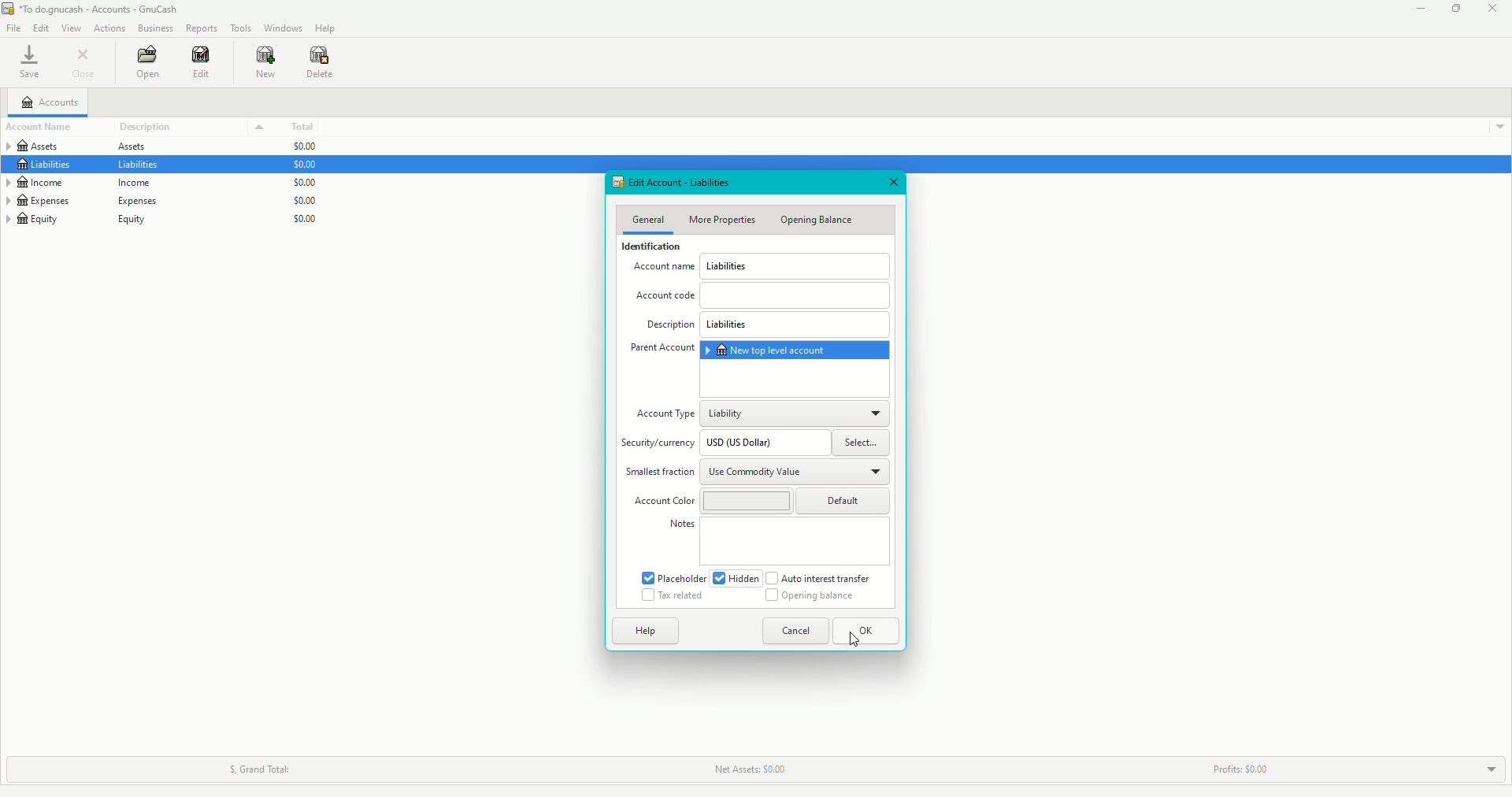 This screenshot has width=1512, height=797. What do you see at coordinates (659, 473) in the screenshot?
I see `Smallest fraction` at bounding box center [659, 473].